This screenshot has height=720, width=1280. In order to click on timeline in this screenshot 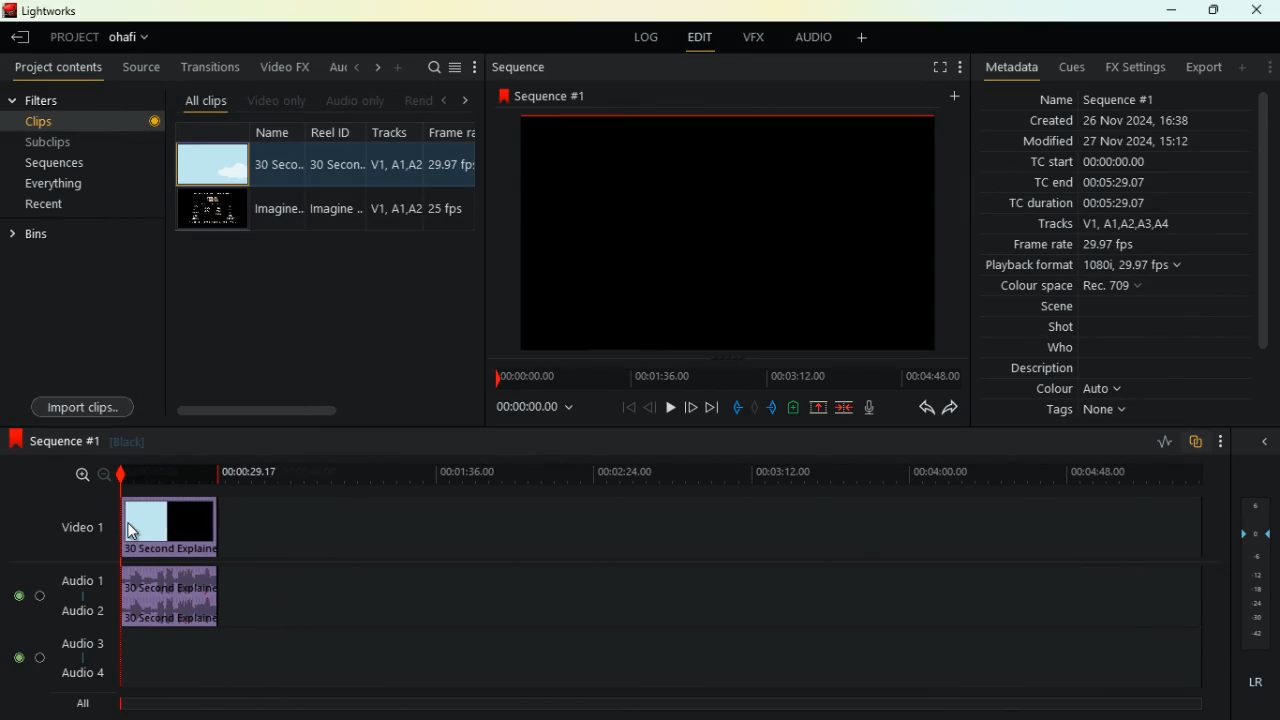, I will do `click(719, 375)`.